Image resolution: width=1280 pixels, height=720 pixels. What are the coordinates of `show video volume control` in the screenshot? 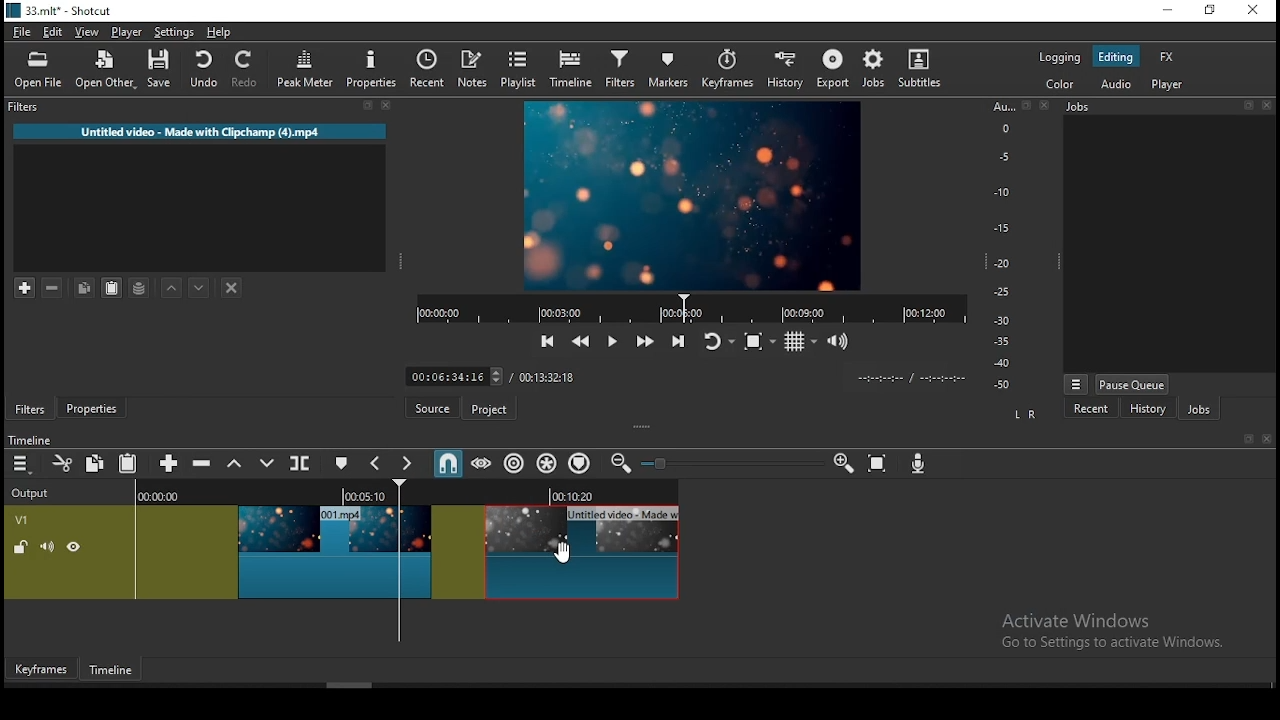 It's located at (839, 335).